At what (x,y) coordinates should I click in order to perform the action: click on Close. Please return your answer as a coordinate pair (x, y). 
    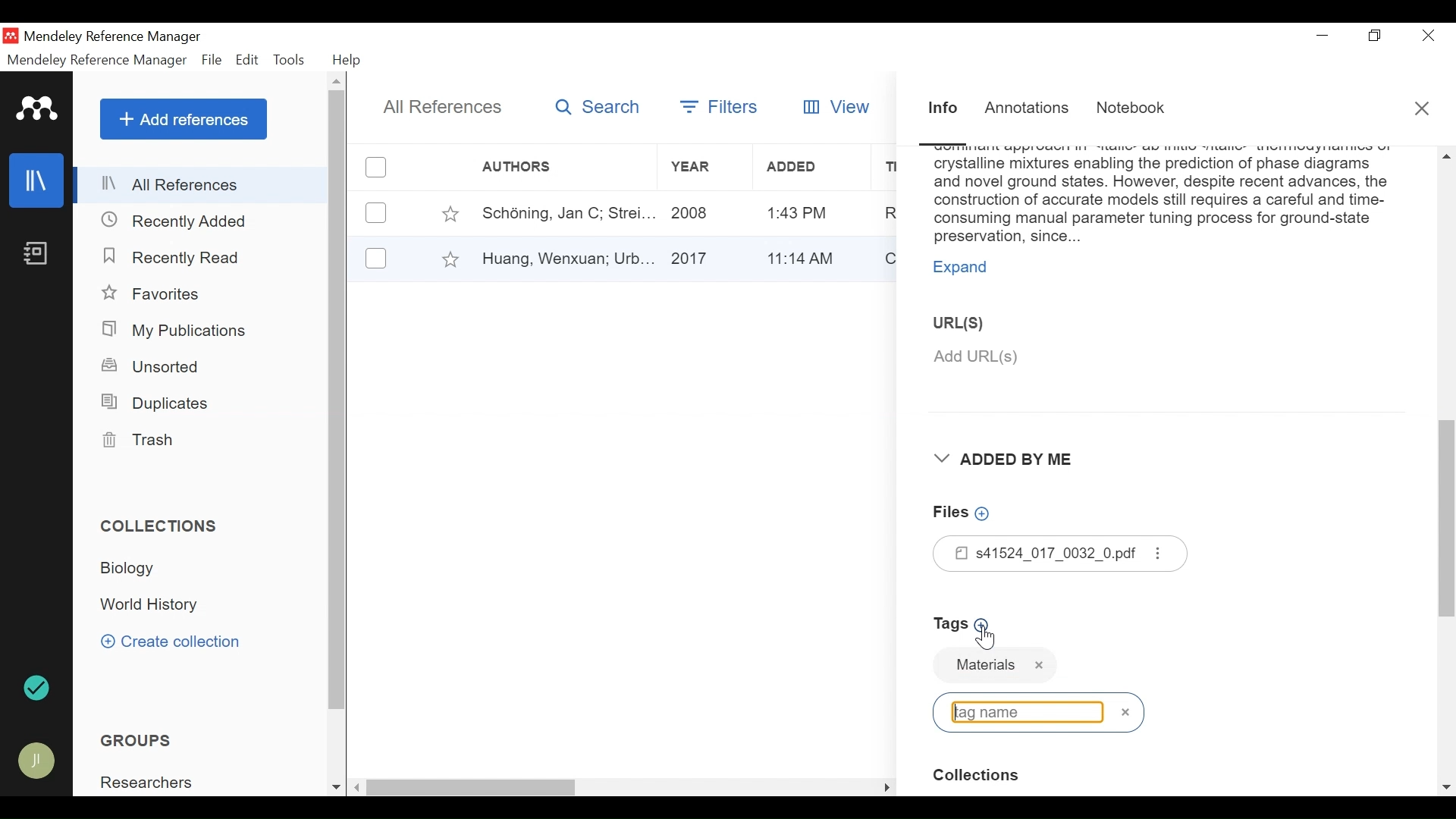
    Looking at the image, I should click on (1423, 109).